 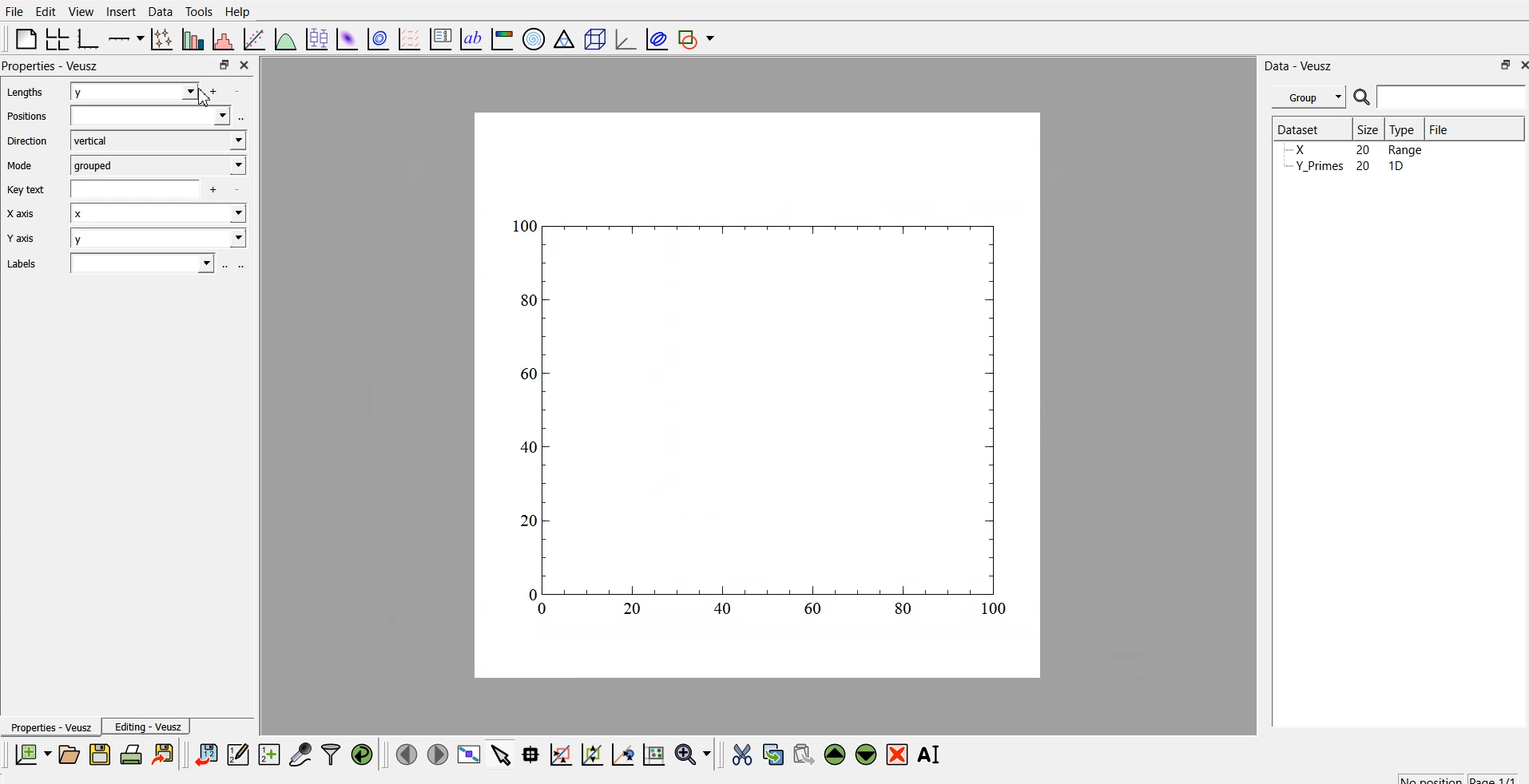 What do you see at coordinates (300, 754) in the screenshot?
I see `capture a dataset` at bounding box center [300, 754].